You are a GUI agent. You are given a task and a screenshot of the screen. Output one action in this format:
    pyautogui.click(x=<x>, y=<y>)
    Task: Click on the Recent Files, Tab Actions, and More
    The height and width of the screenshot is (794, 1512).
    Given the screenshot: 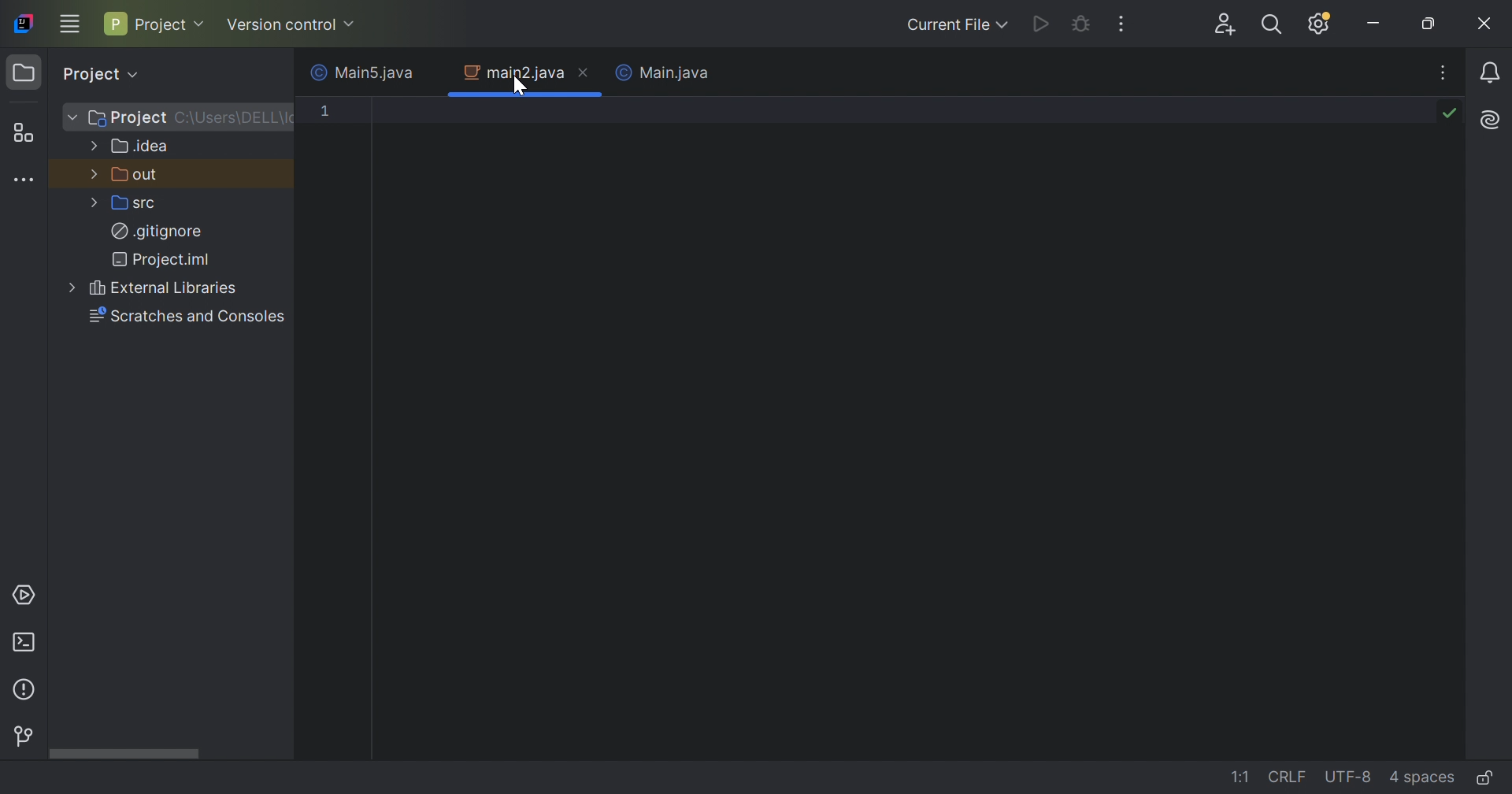 What is the action you would take?
    pyautogui.click(x=1443, y=71)
    